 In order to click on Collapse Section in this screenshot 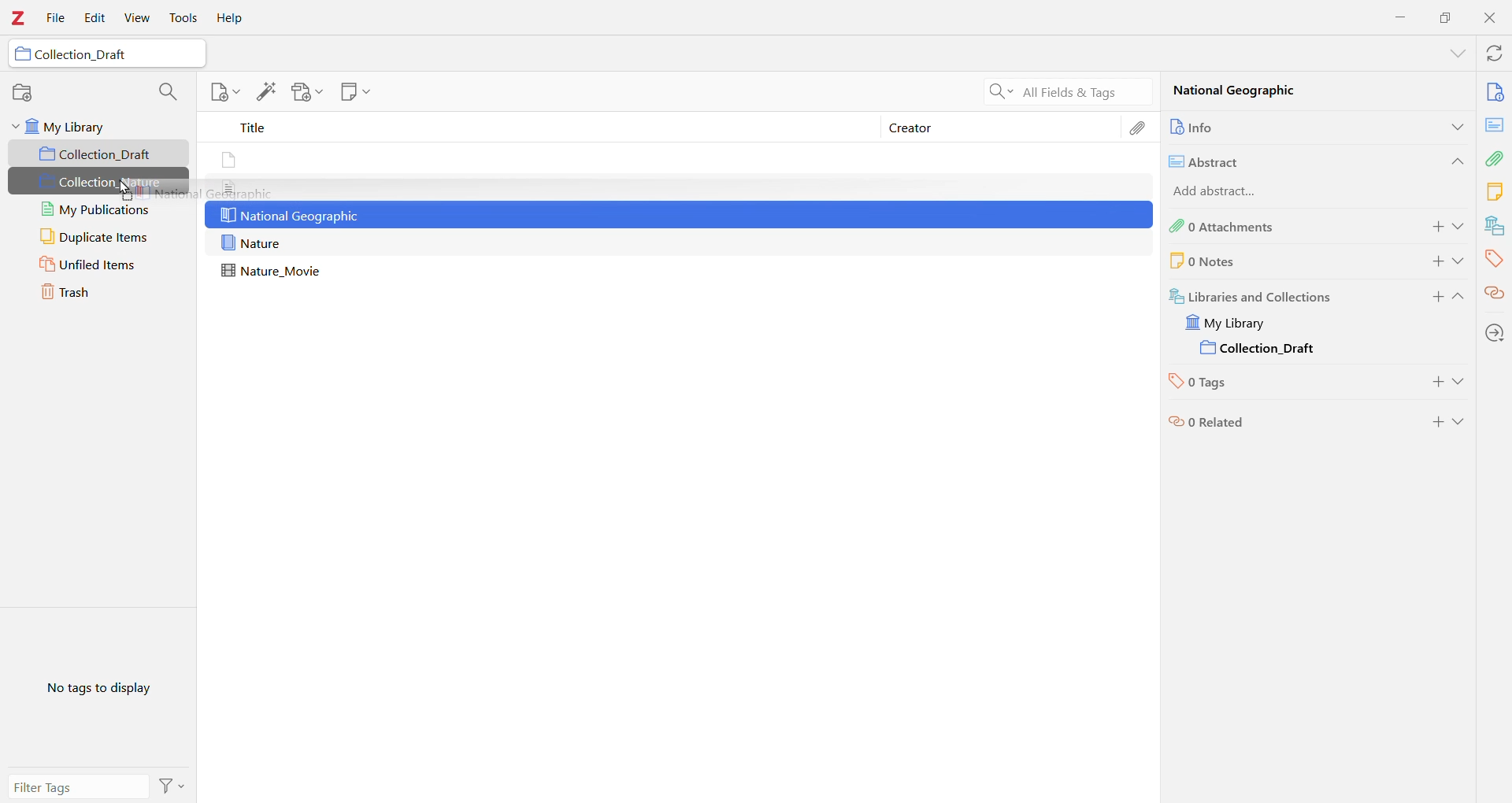, I will do `click(1455, 161)`.